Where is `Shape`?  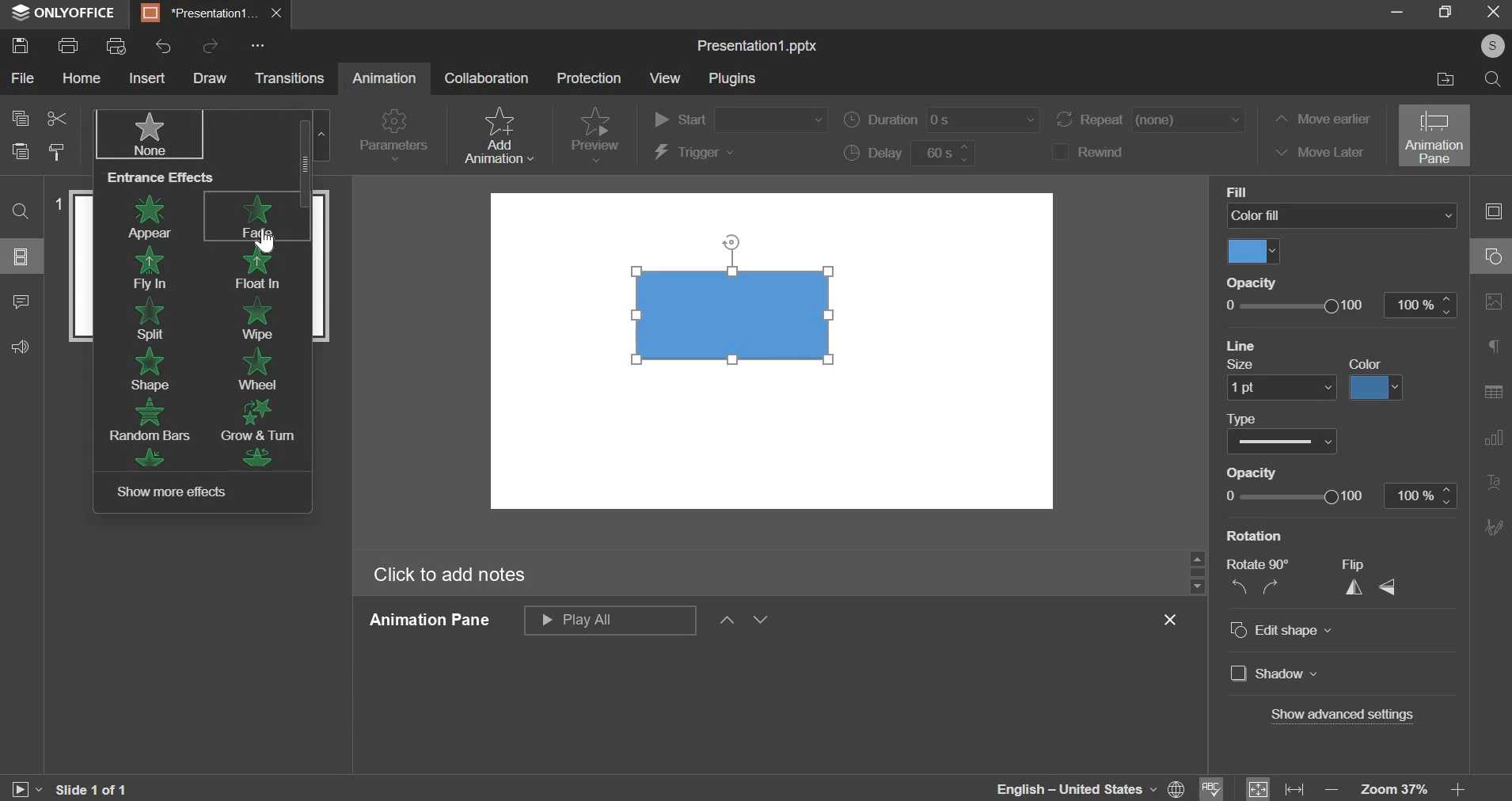
Shape is located at coordinates (743, 313).